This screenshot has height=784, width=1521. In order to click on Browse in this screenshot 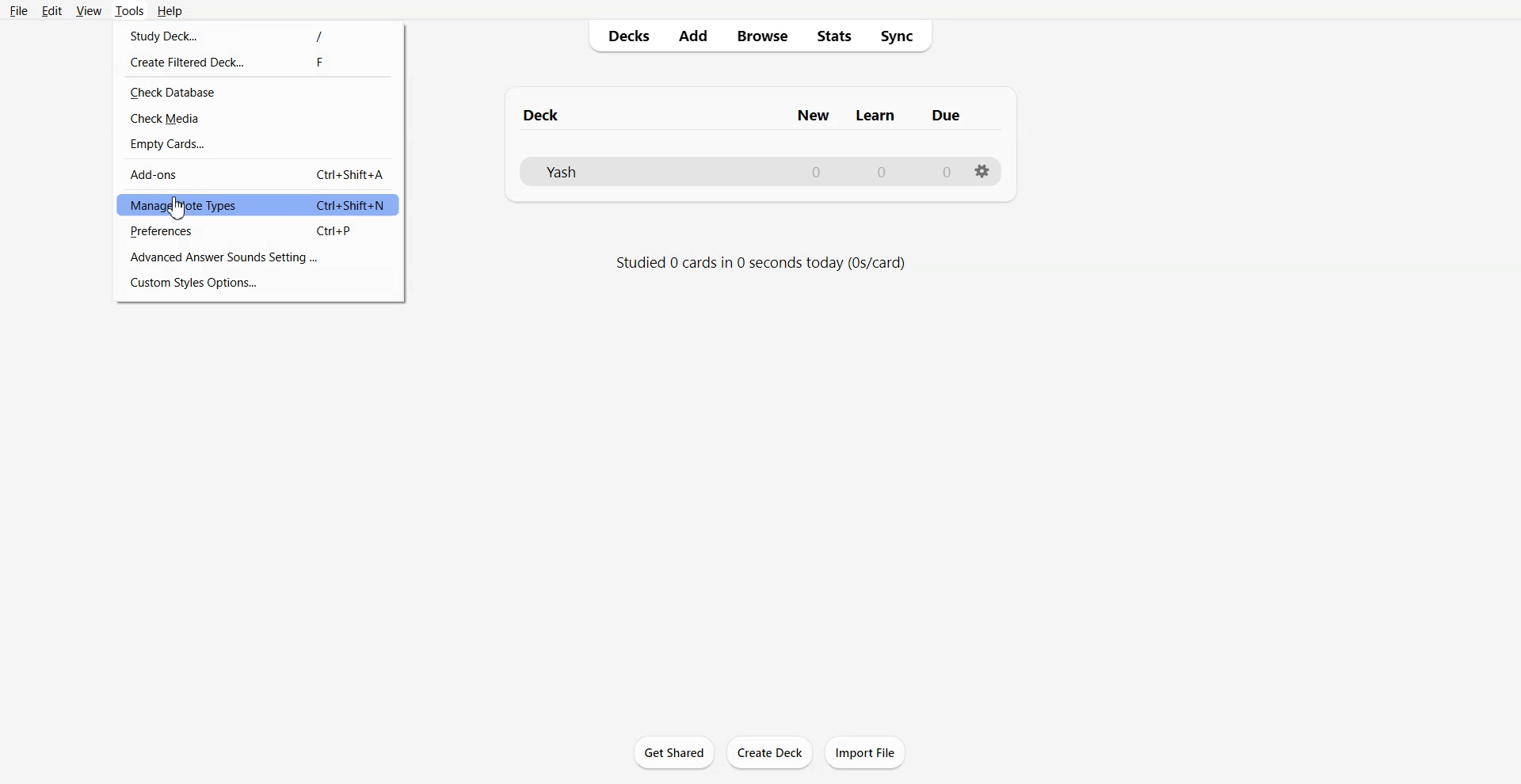, I will do `click(761, 36)`.